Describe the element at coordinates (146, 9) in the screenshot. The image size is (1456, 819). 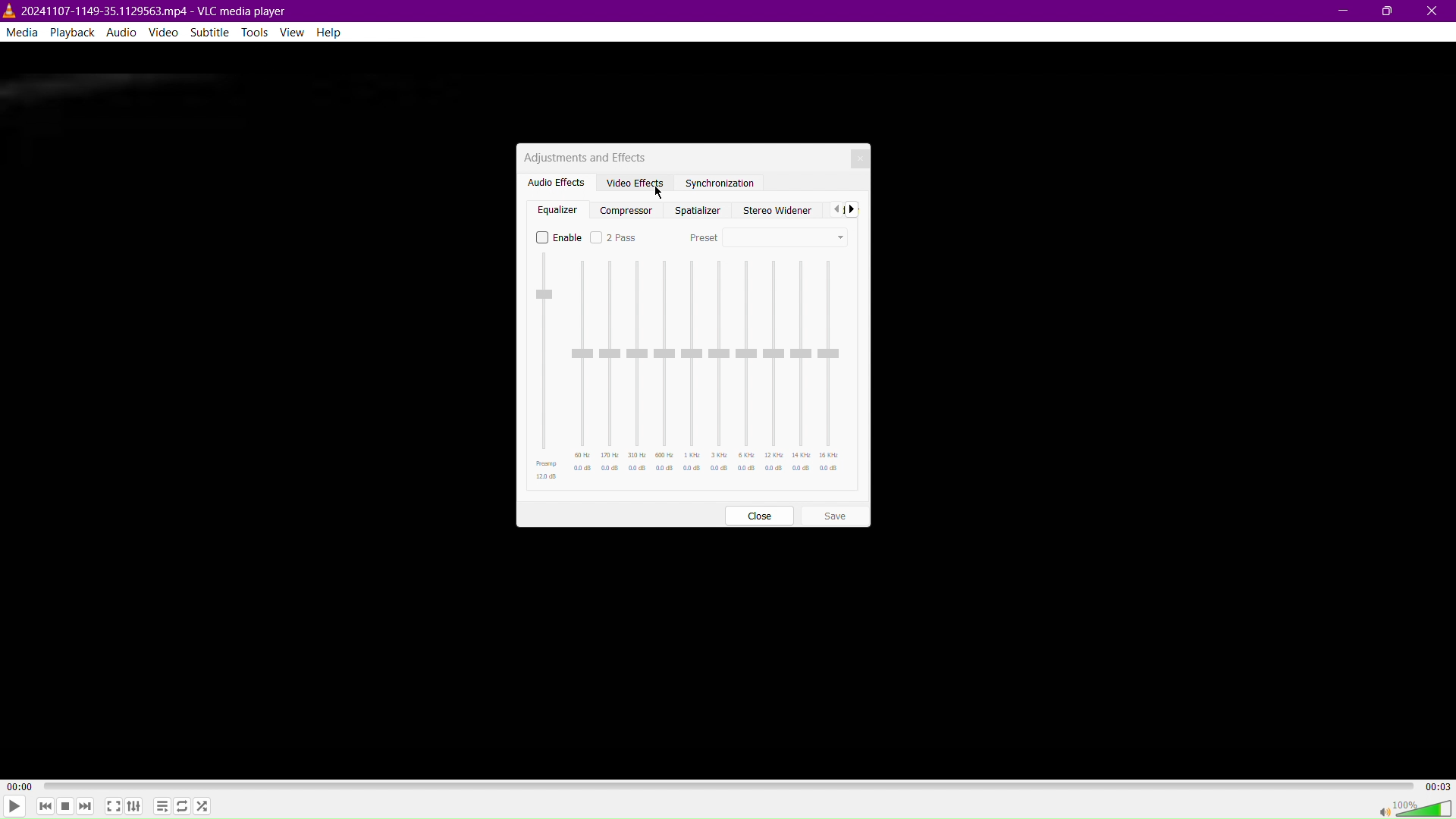
I see `2024107-1149-35.1129563.mp4 - VLC media player` at that location.